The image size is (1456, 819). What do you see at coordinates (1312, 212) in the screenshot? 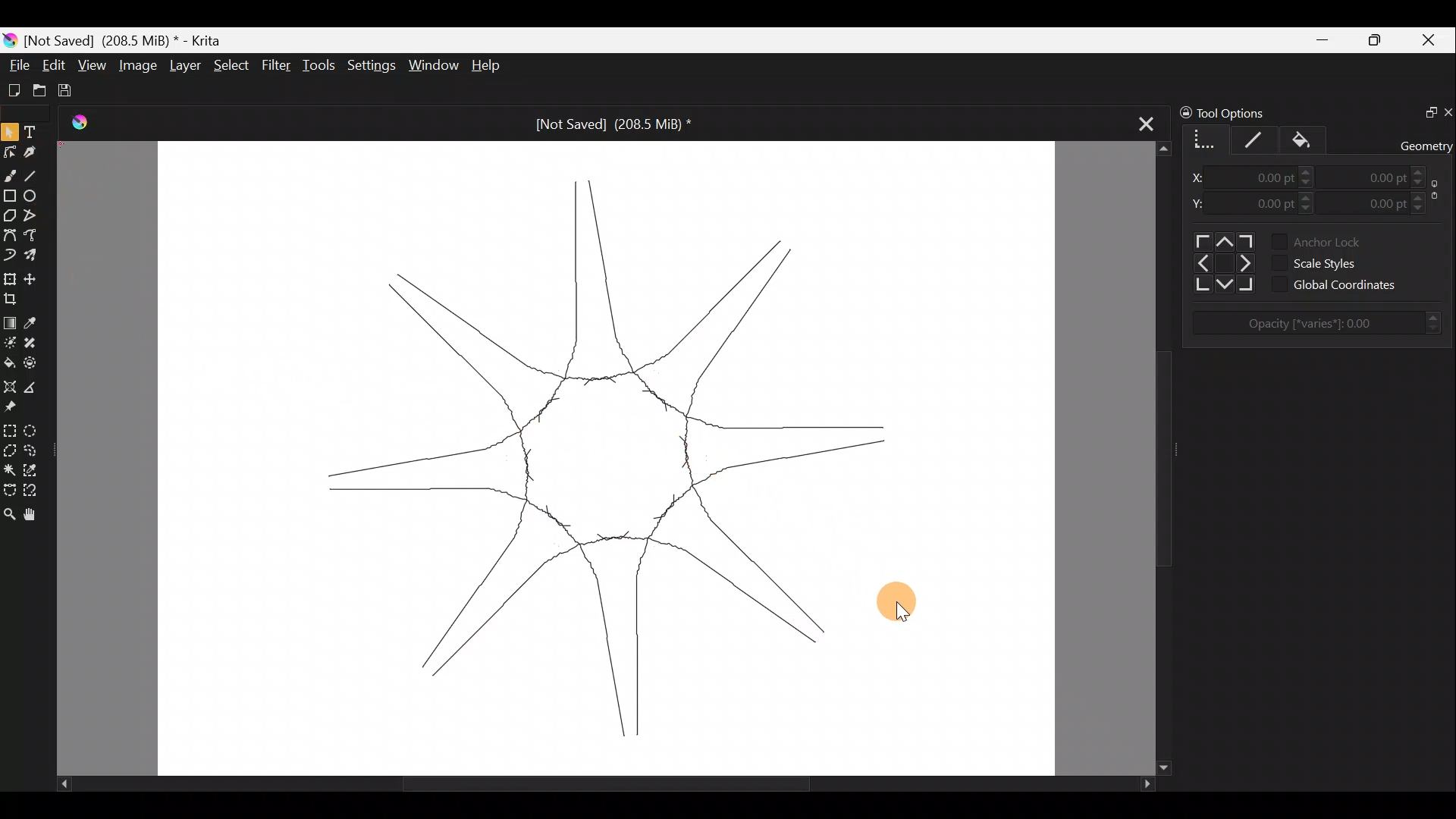
I see `Decrease` at bounding box center [1312, 212].